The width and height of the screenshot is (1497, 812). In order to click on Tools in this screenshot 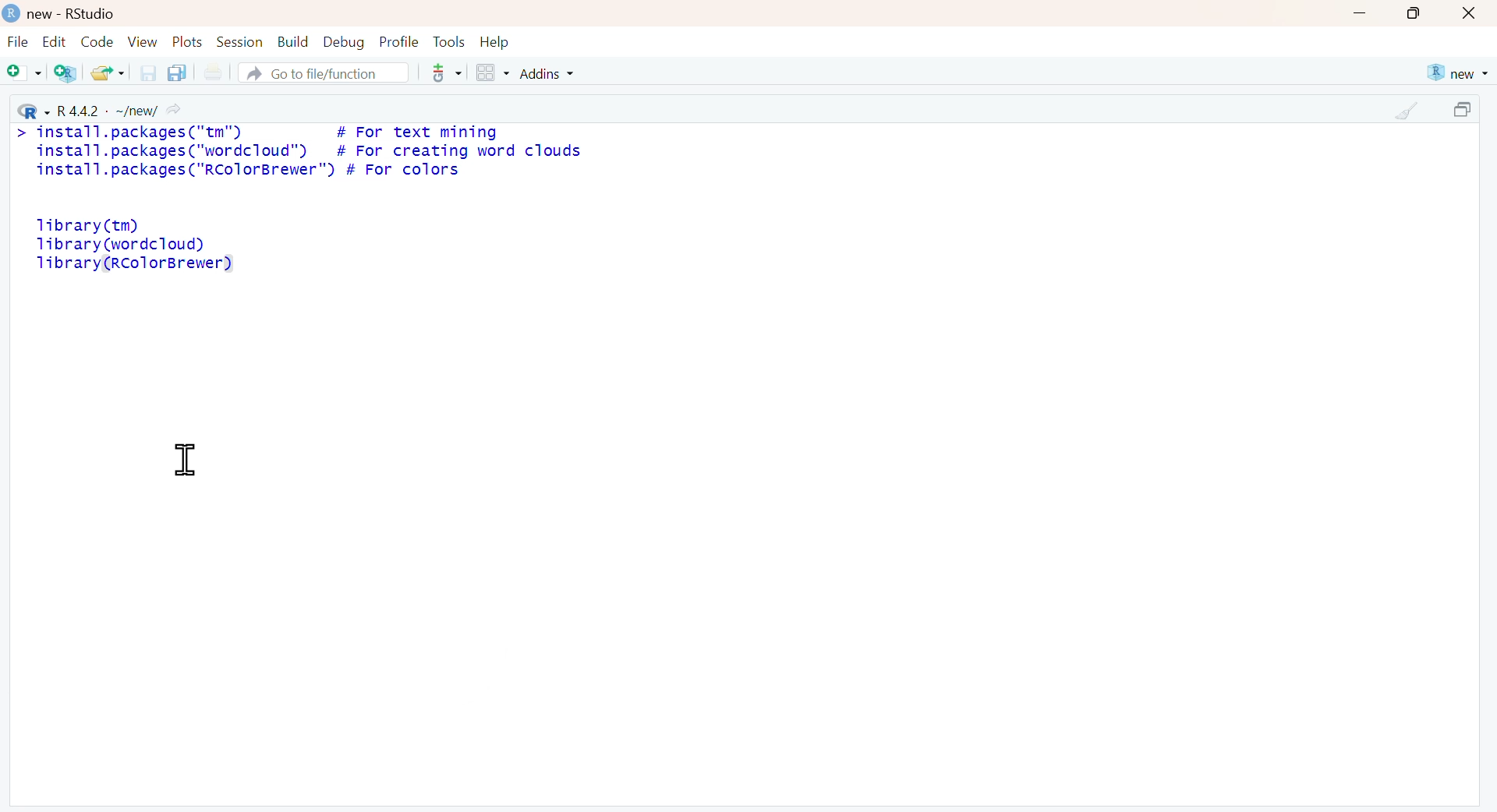, I will do `click(451, 42)`.